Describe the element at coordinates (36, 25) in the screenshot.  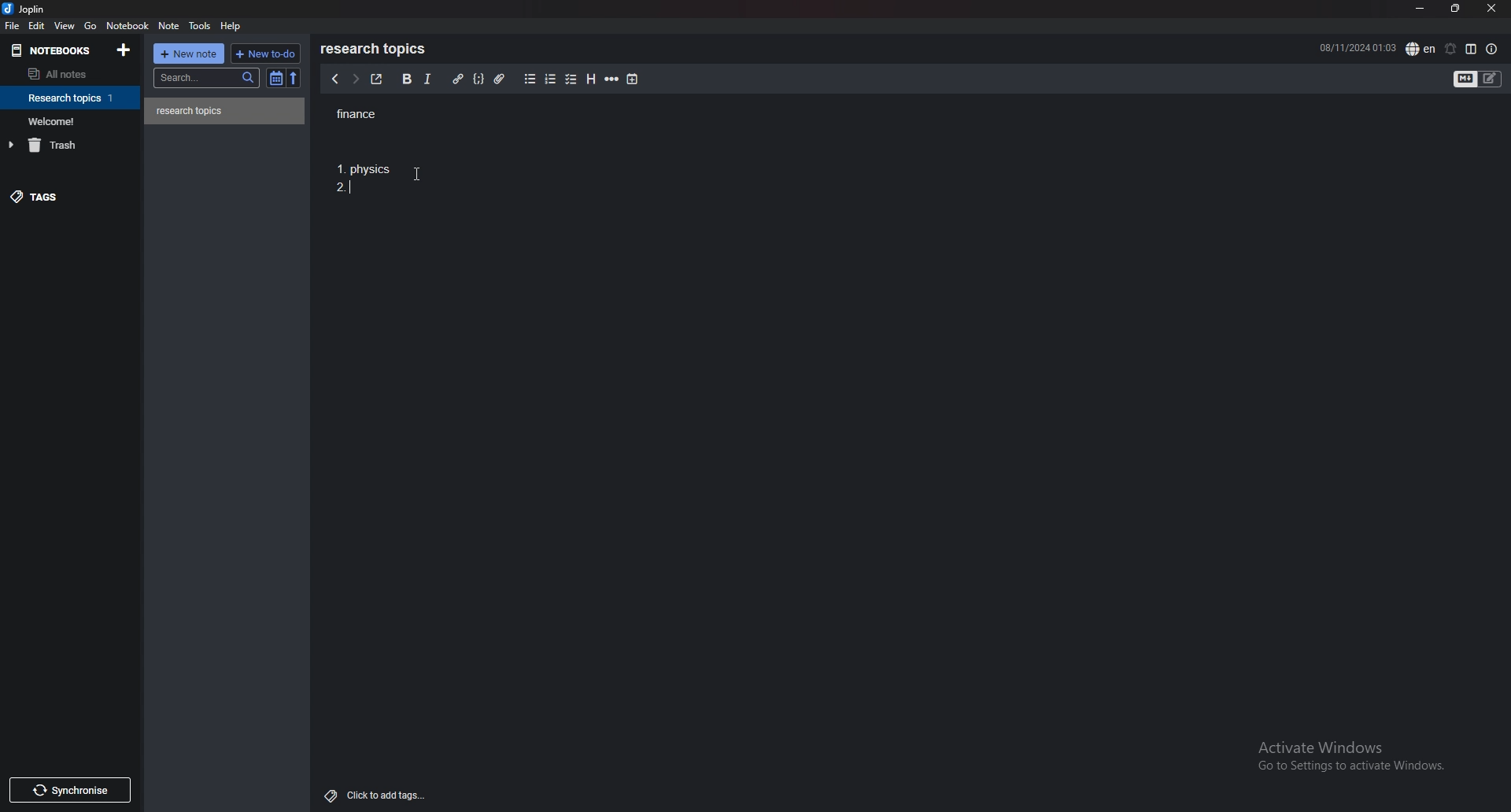
I see `edit` at that location.